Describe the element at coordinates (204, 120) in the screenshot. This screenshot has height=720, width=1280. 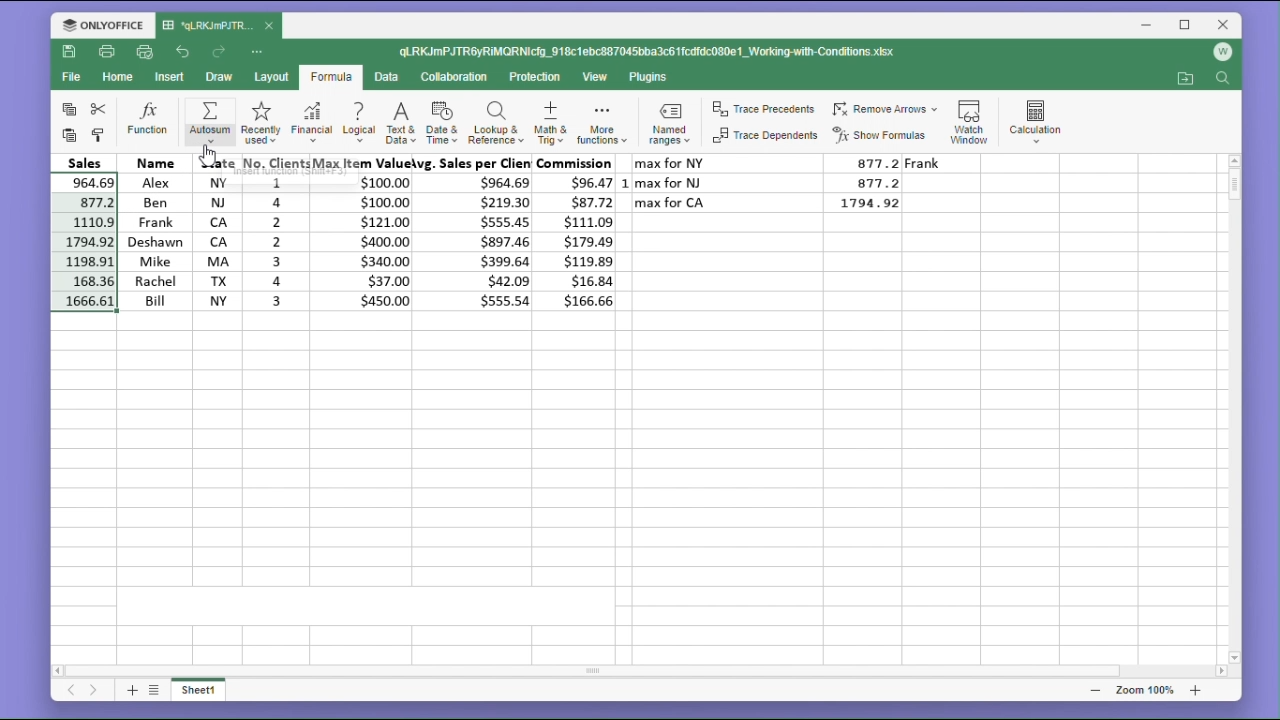
I see `autosum` at that location.